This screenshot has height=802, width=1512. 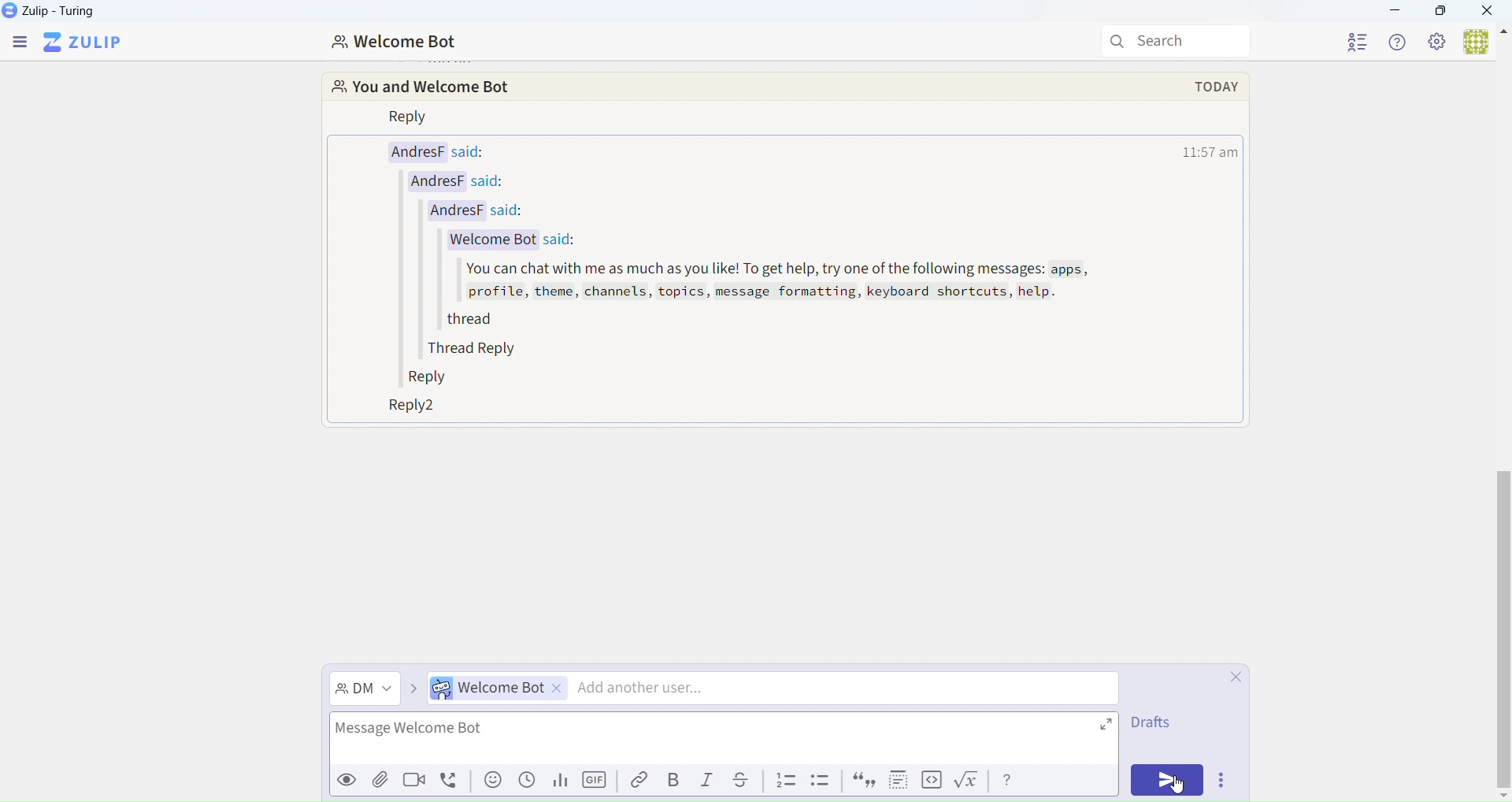 I want to click on Close, so click(x=1236, y=678).